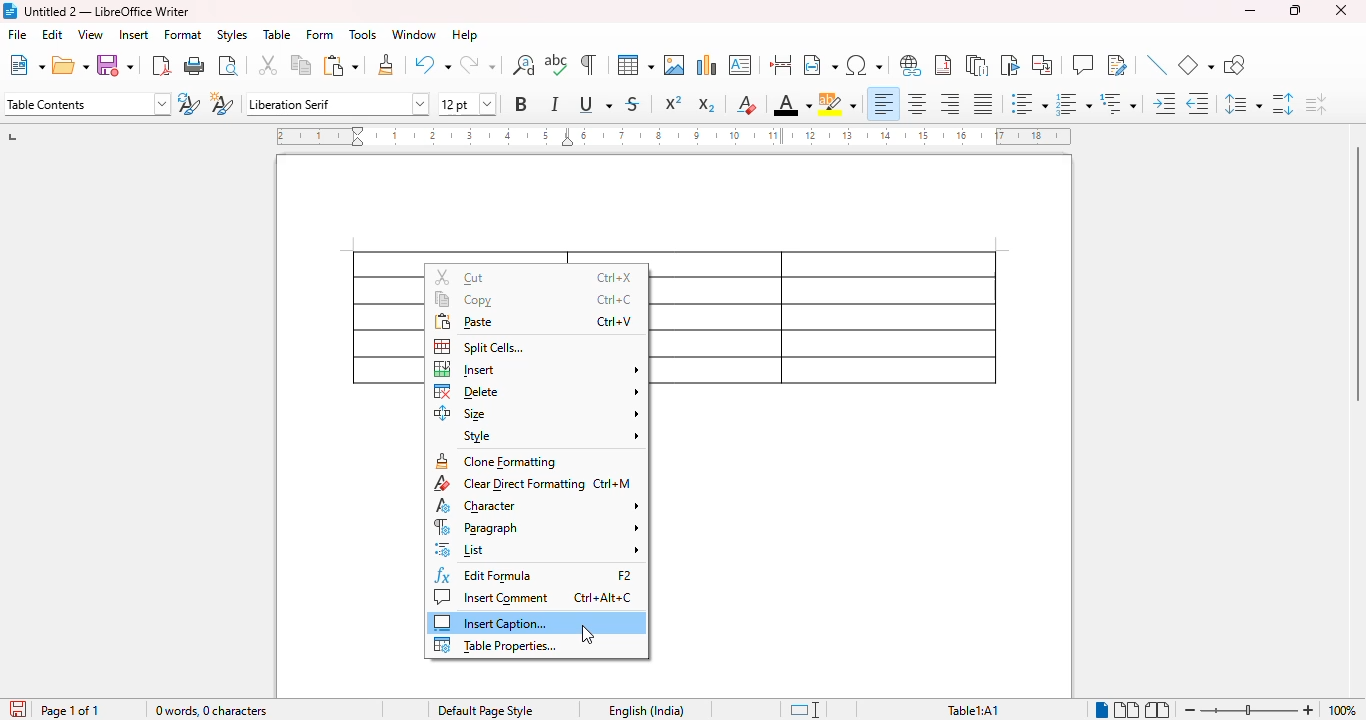  I want to click on increase paragraph spacing, so click(1283, 104).